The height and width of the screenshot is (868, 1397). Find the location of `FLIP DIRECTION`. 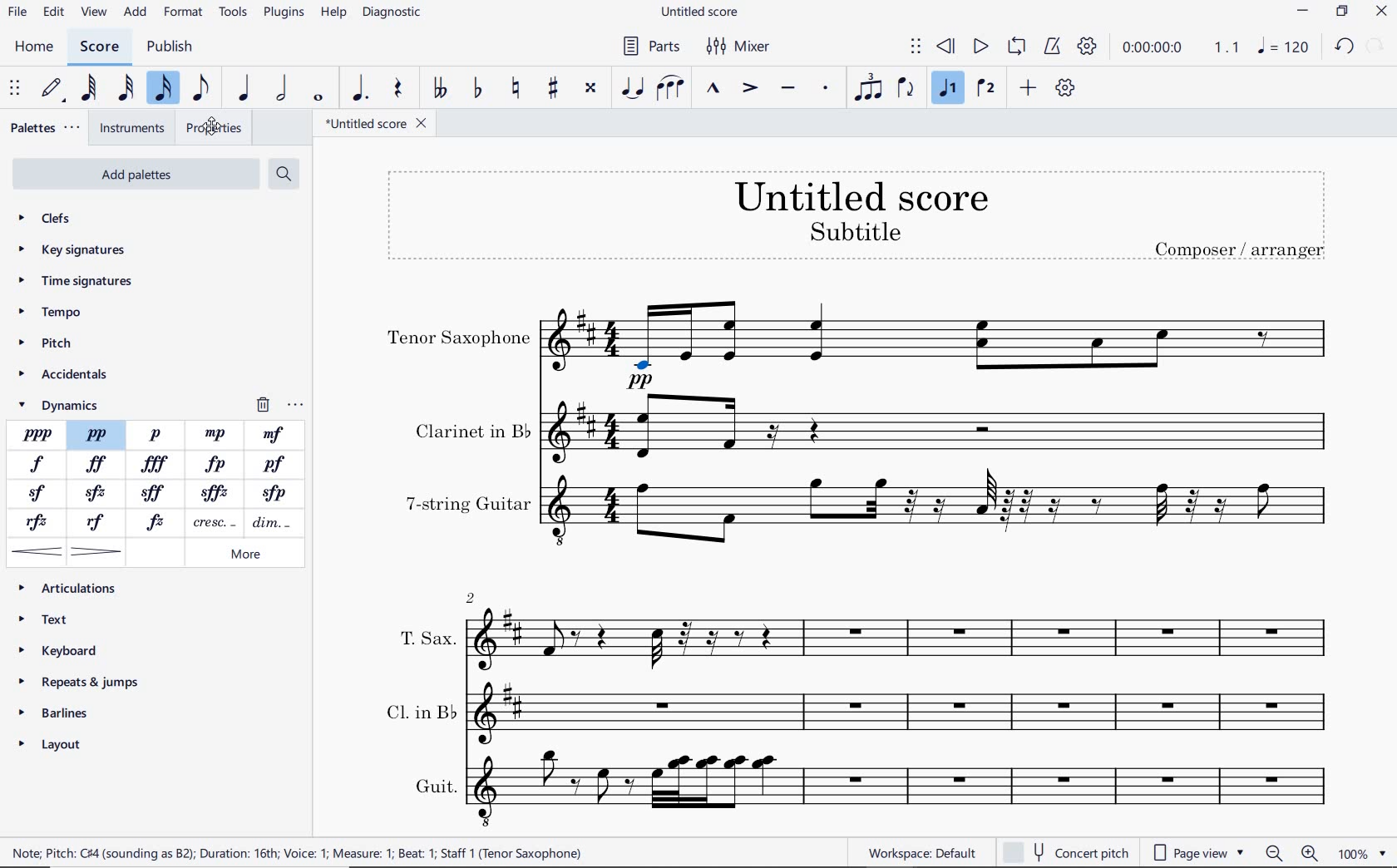

FLIP DIRECTION is located at coordinates (910, 88).